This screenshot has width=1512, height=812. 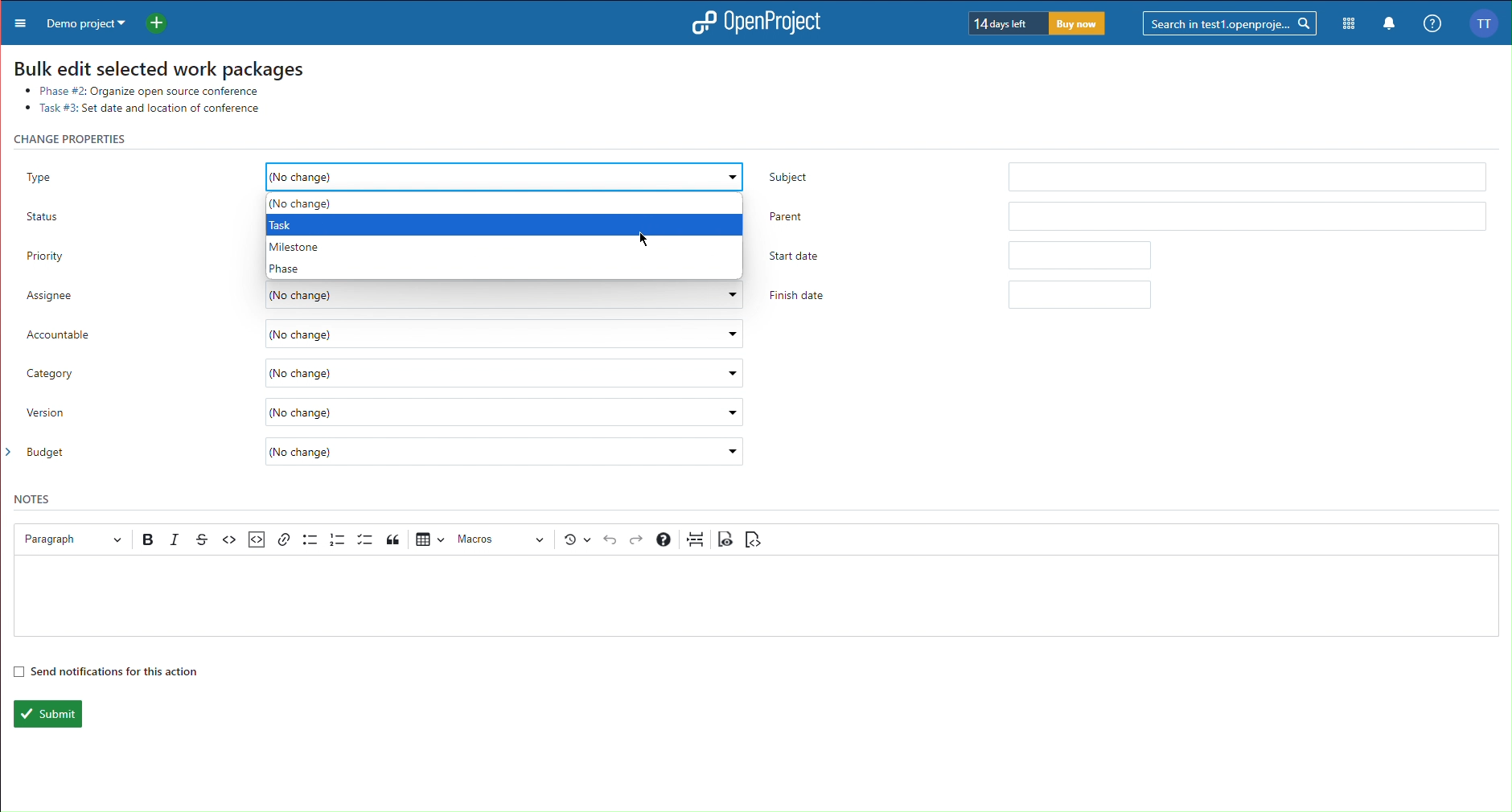 I want to click on Type, so click(x=131, y=170).